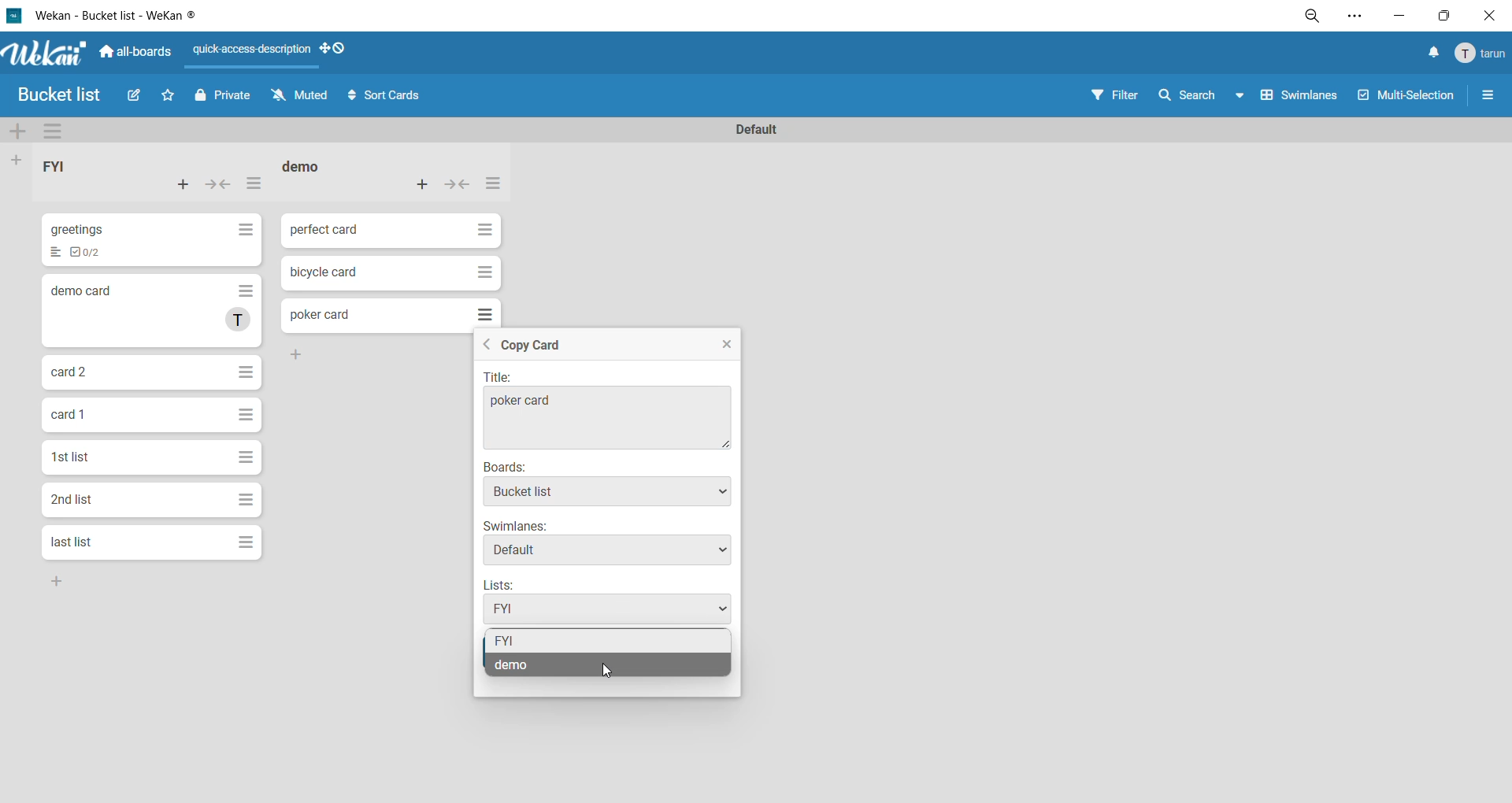  What do you see at coordinates (222, 98) in the screenshot?
I see `private` at bounding box center [222, 98].